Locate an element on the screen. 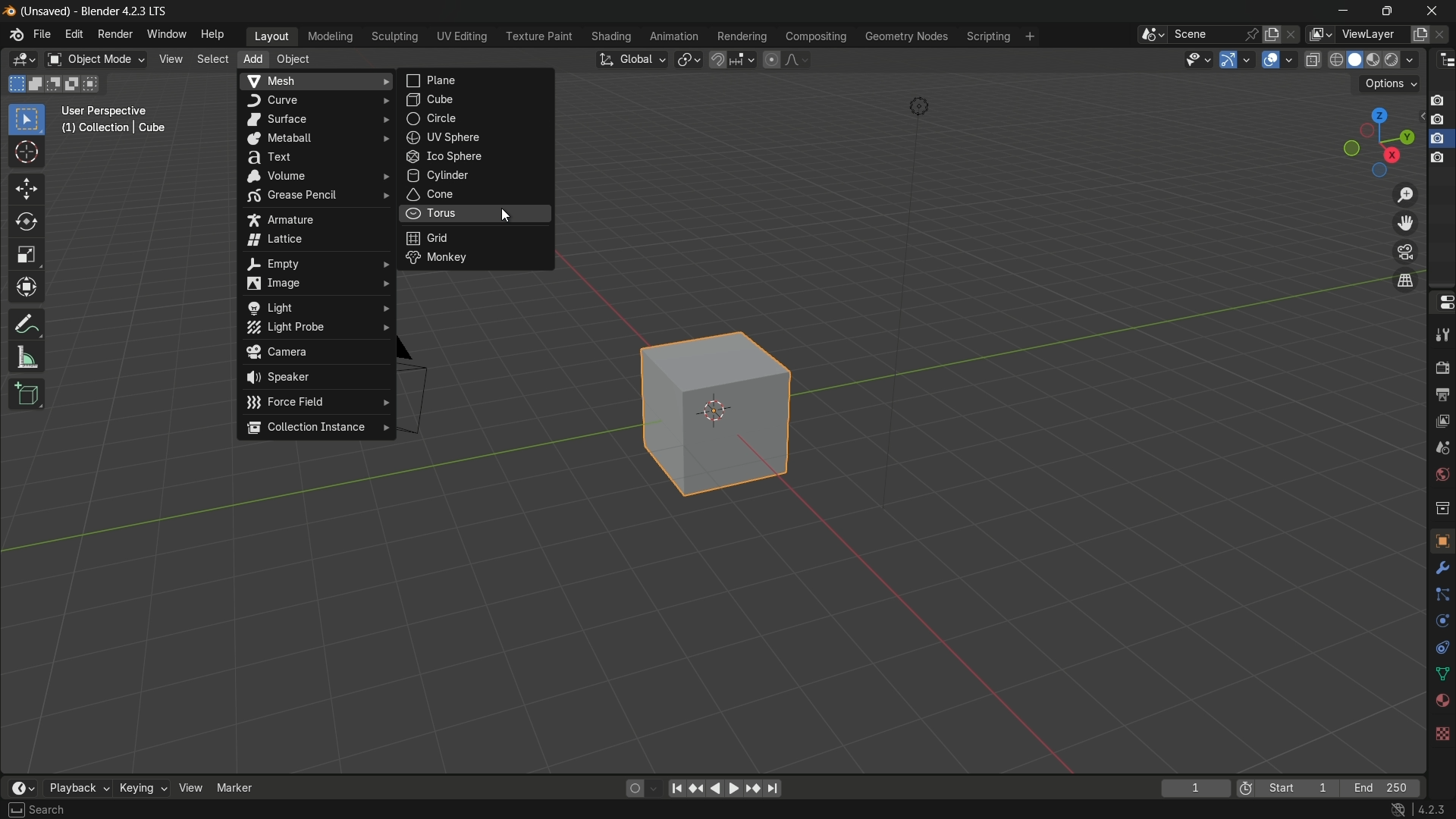 This screenshot has width=1456, height=819. view is located at coordinates (1442, 424).